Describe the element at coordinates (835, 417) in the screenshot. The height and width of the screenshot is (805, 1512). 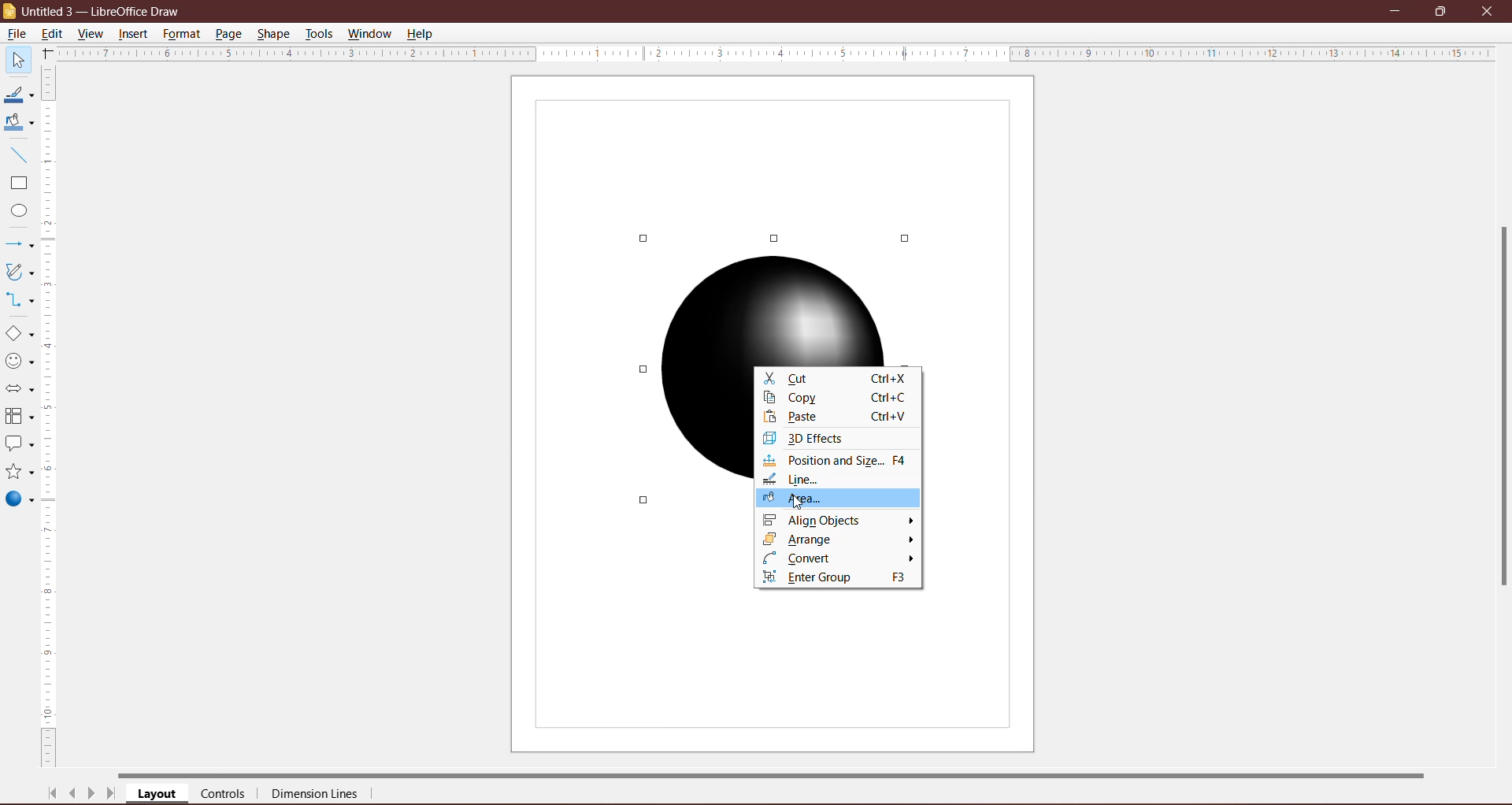
I see `Paste` at that location.